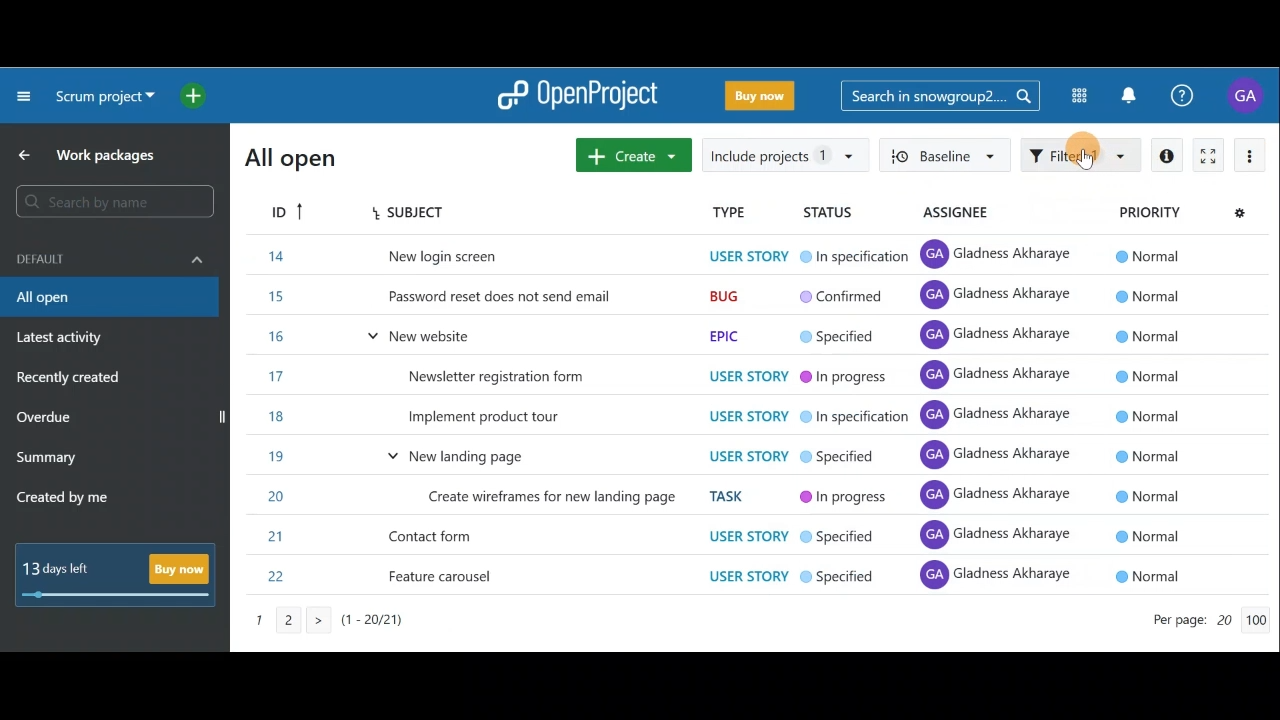  I want to click on Collapse project menu, so click(25, 95).